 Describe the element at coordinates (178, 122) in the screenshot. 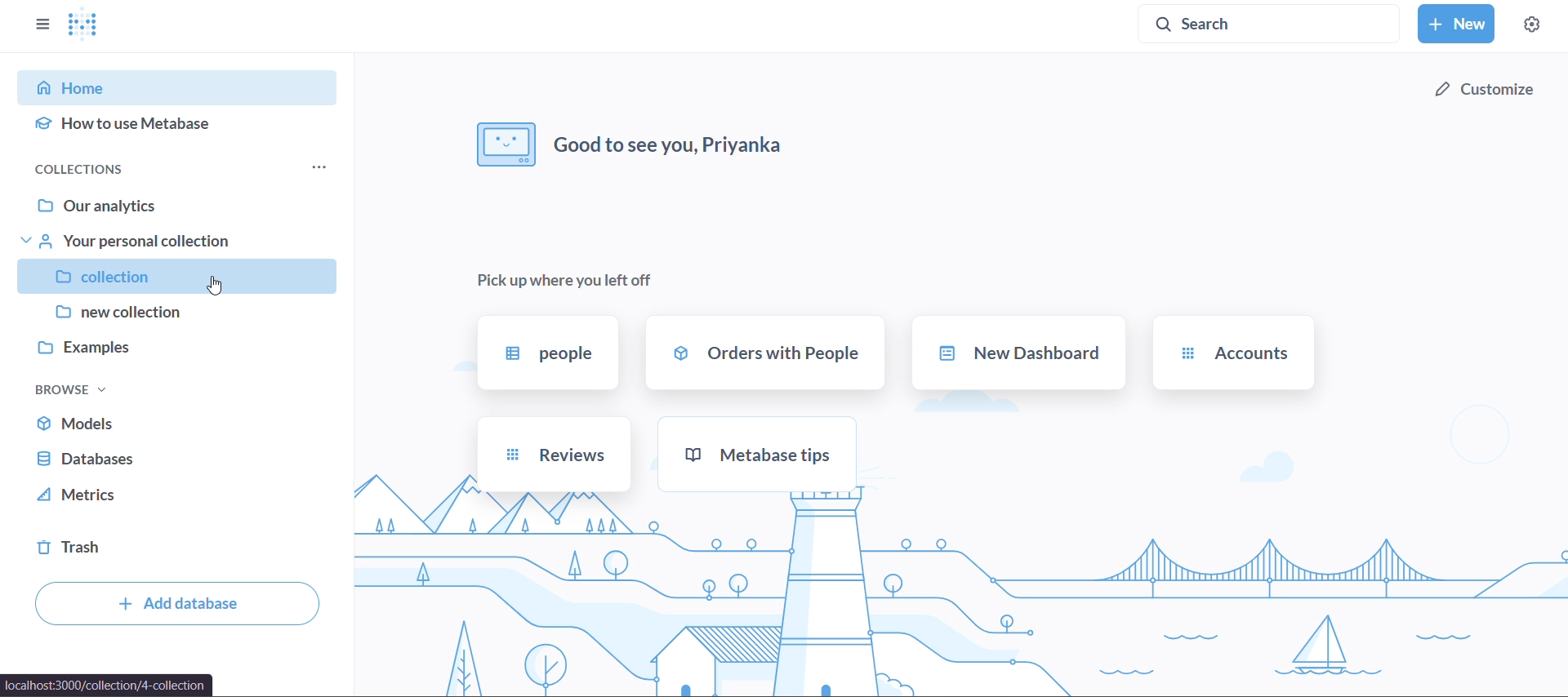

I see `how to use metabase` at that location.